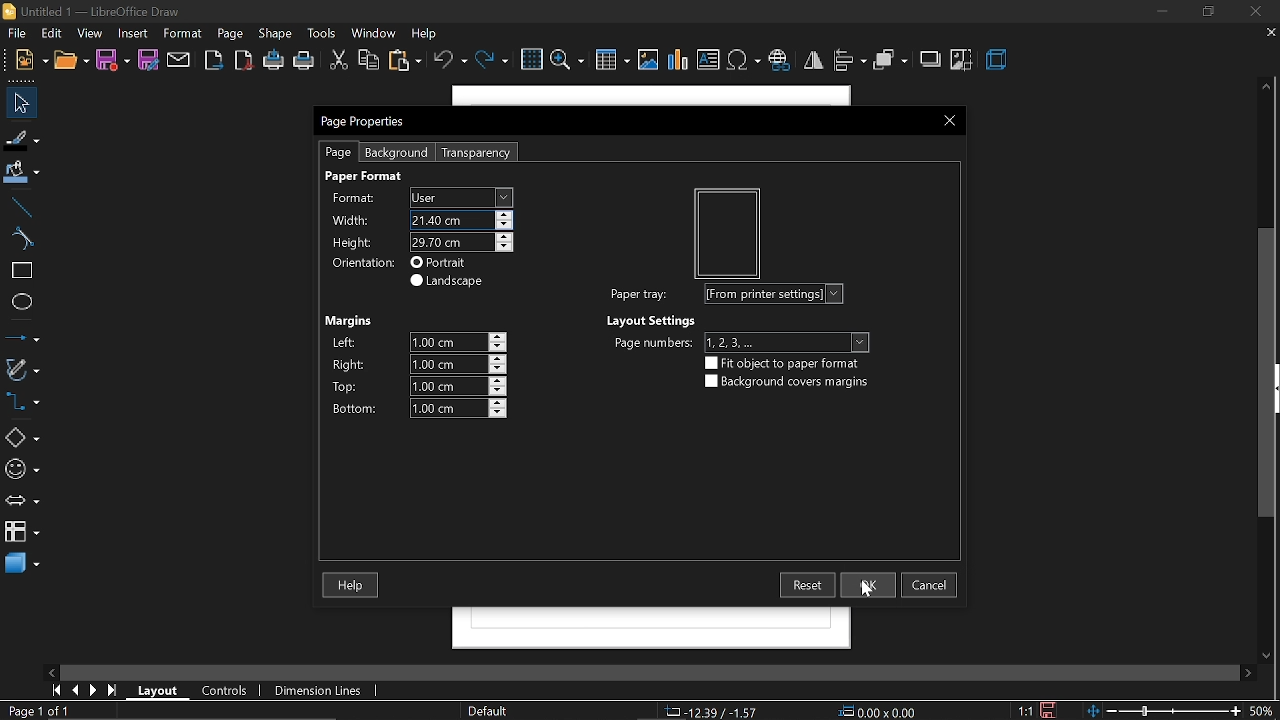 This screenshot has width=1280, height=720. Describe the element at coordinates (786, 342) in the screenshot. I see `1, 2, 3...` at that location.